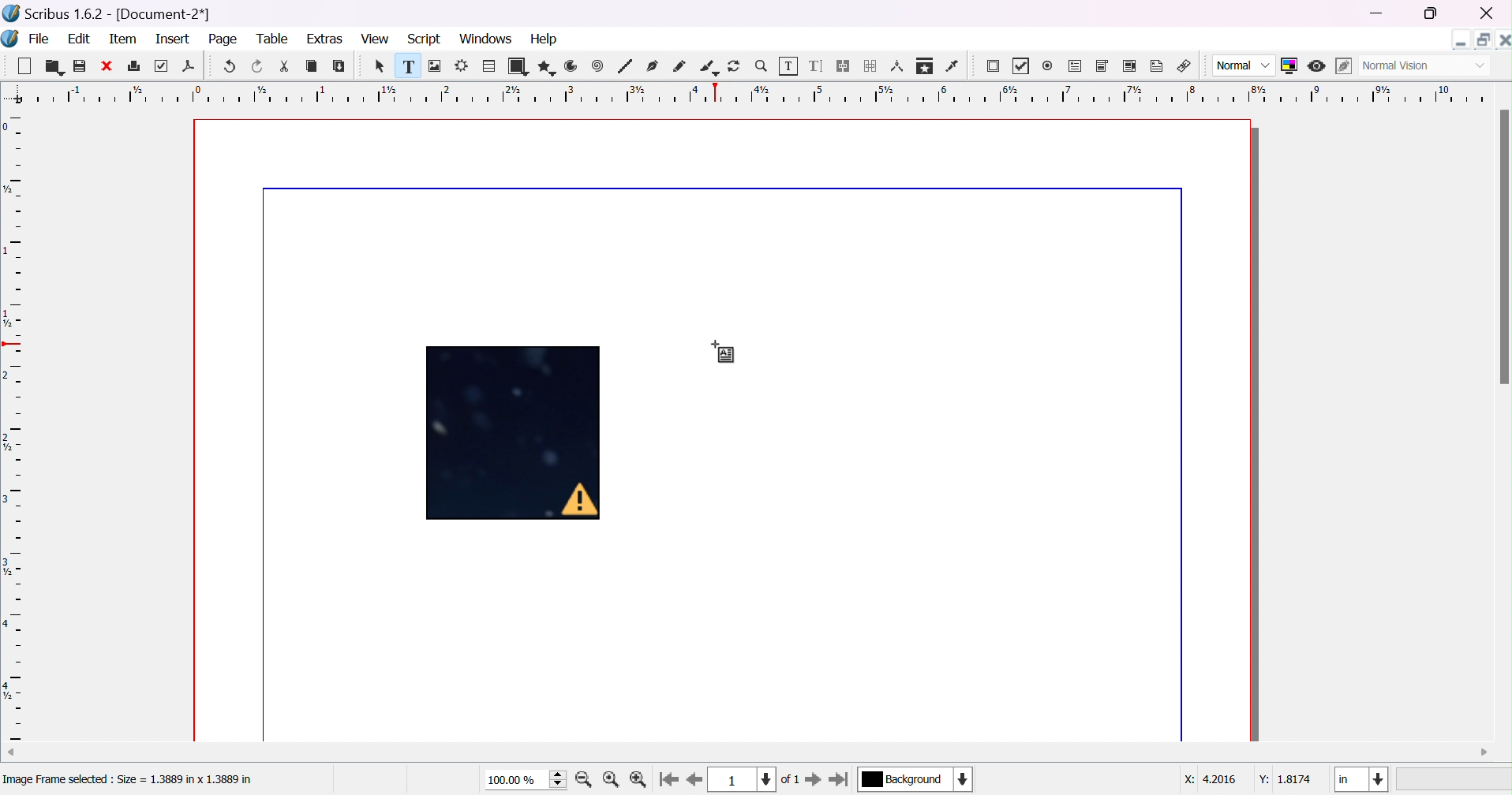  Describe the element at coordinates (122, 39) in the screenshot. I see `item` at that location.